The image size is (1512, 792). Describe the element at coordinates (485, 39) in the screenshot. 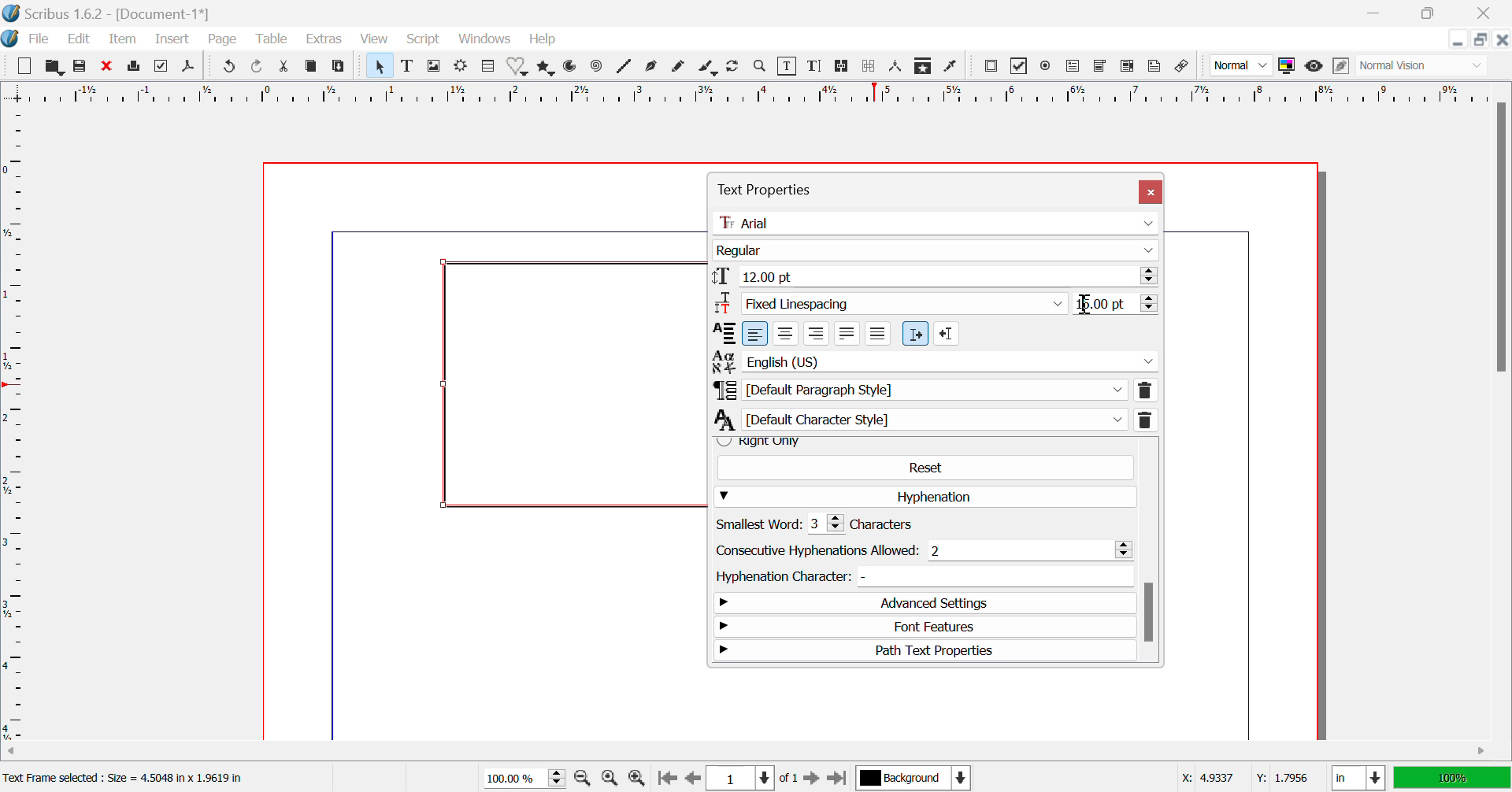

I see `Windows` at that location.